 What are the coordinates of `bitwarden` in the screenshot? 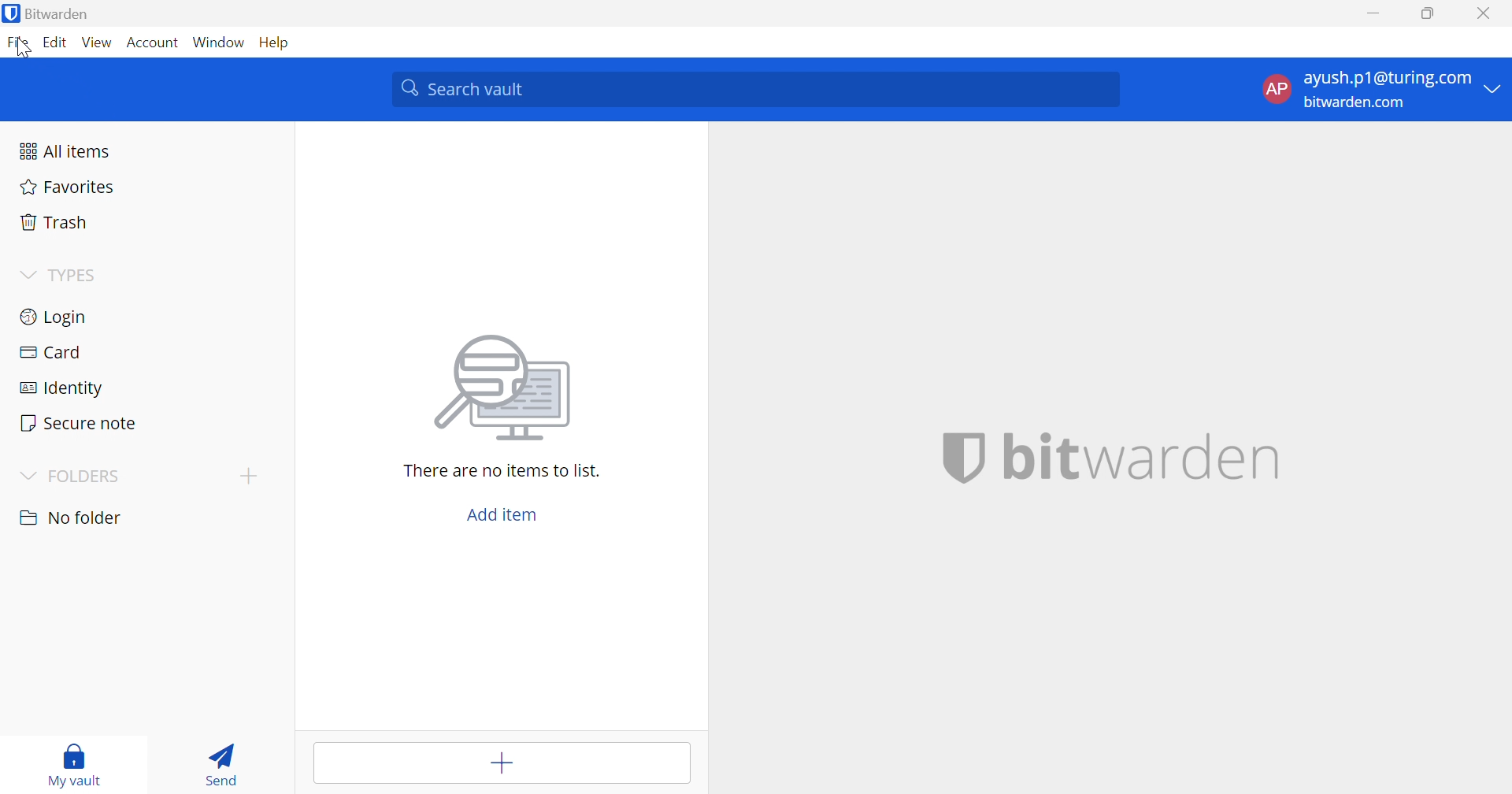 It's located at (1144, 456).